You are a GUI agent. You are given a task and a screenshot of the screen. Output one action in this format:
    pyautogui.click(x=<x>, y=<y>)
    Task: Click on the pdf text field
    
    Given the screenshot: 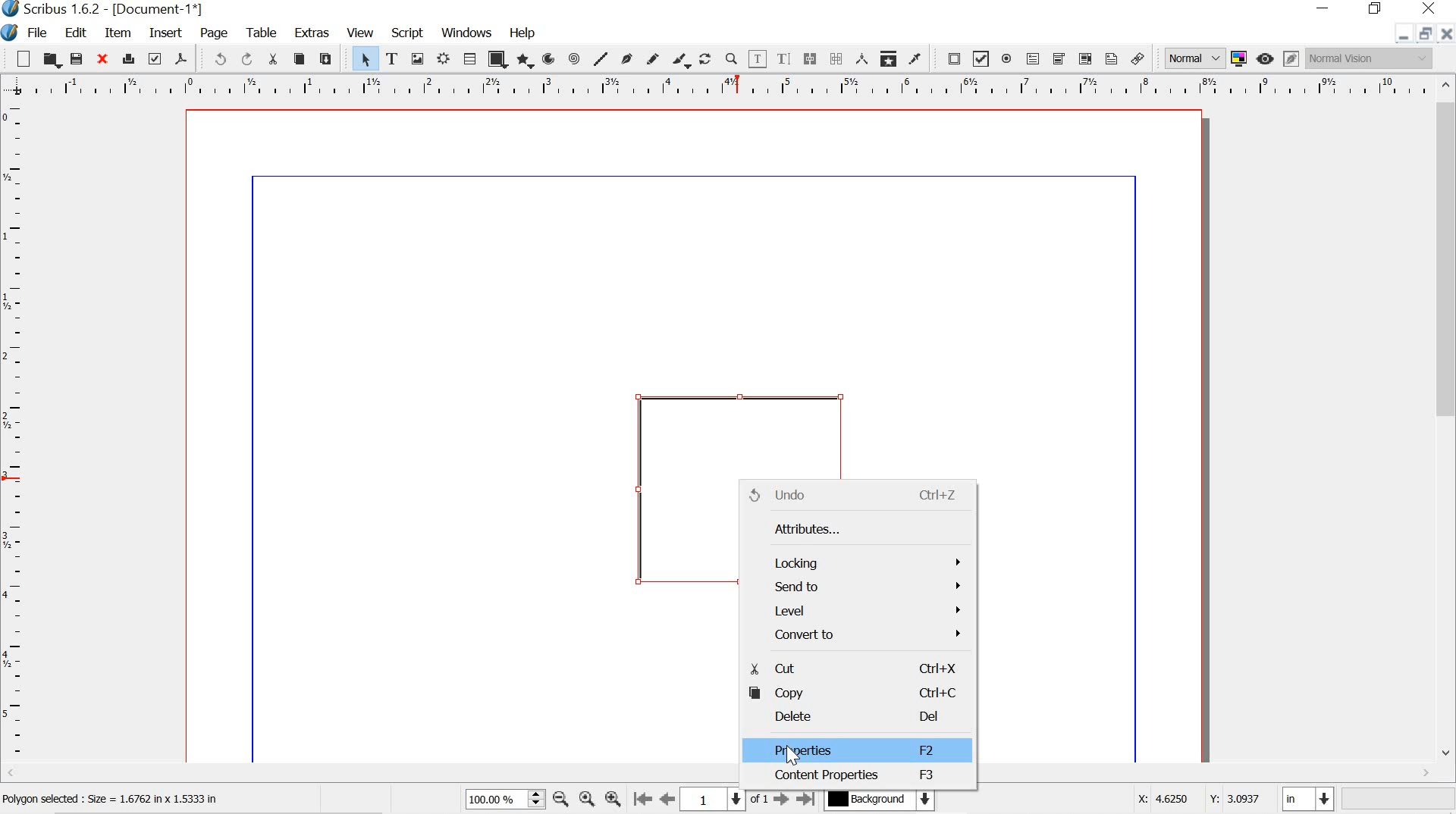 What is the action you would take?
    pyautogui.click(x=1032, y=58)
    